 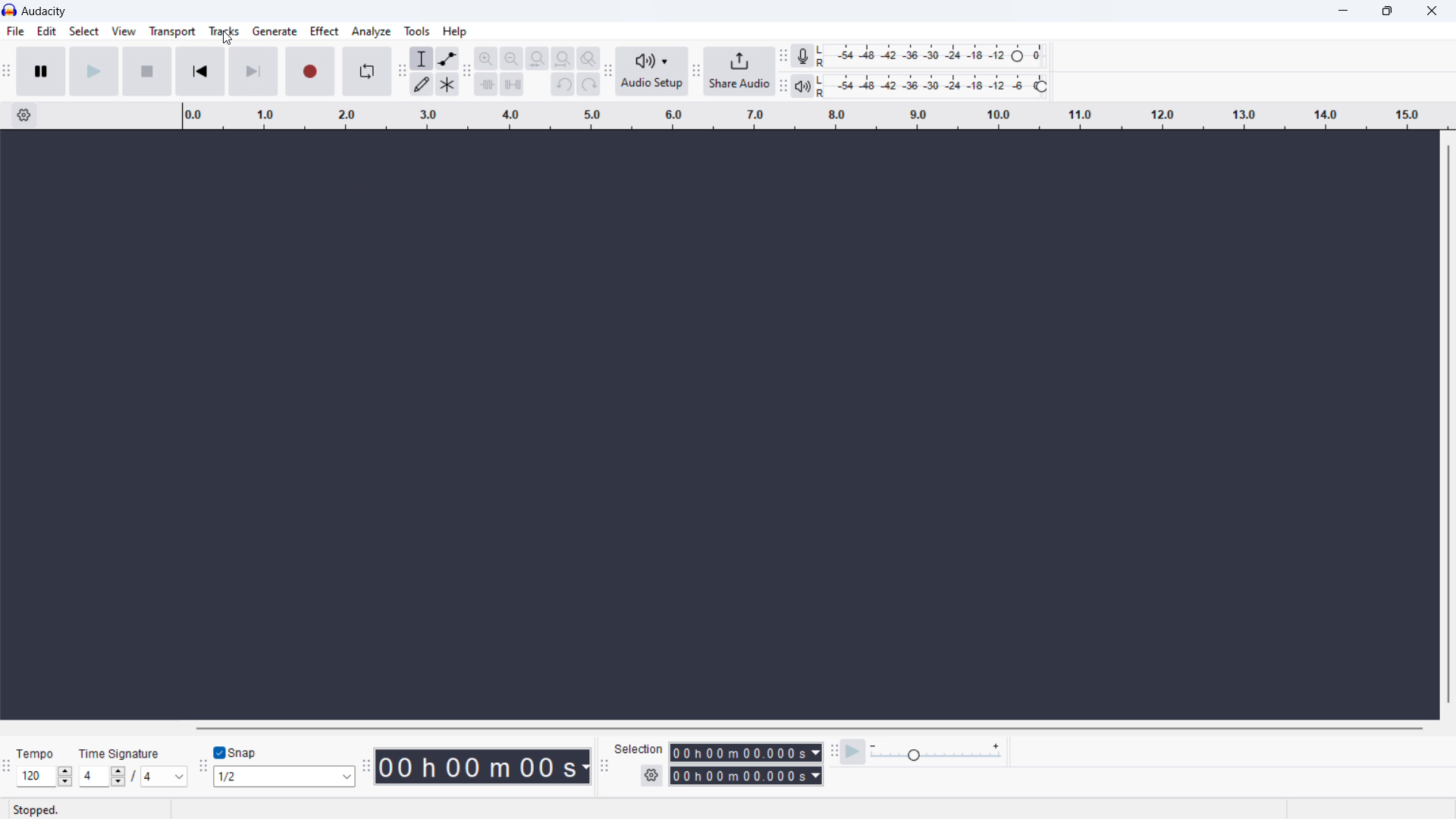 What do you see at coordinates (588, 58) in the screenshot?
I see `toggle zoom` at bounding box center [588, 58].